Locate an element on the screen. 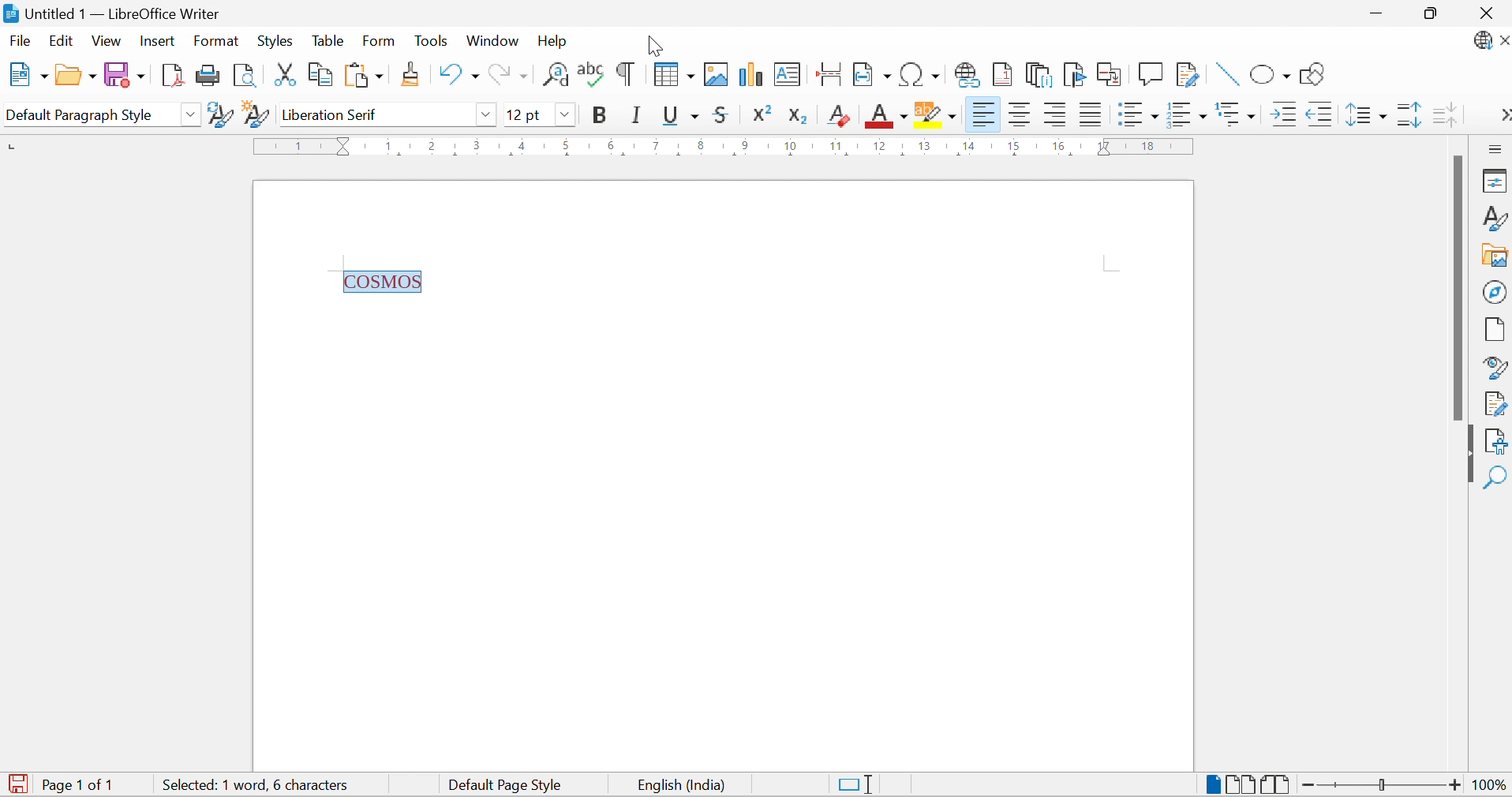 Image resolution: width=1512 pixels, height=797 pixels. Default Paragraph Style is located at coordinates (80, 114).